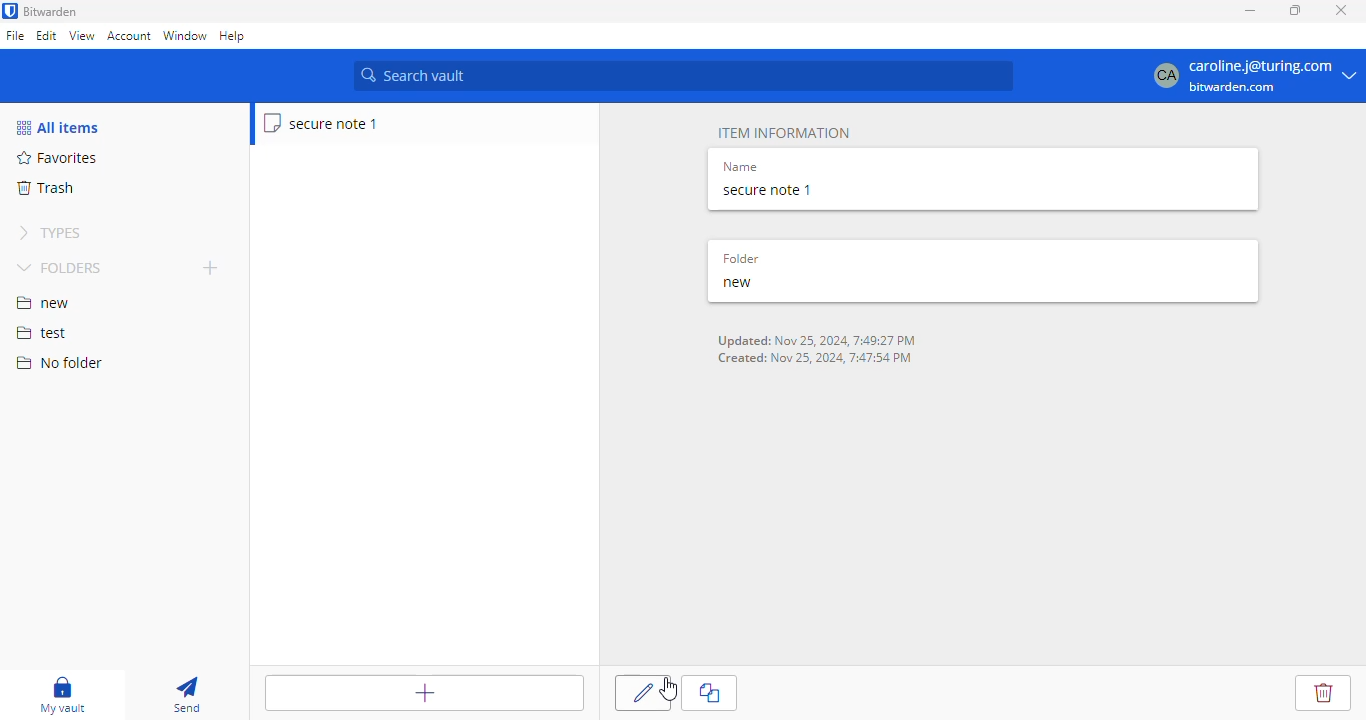  I want to click on favorites, so click(58, 158).